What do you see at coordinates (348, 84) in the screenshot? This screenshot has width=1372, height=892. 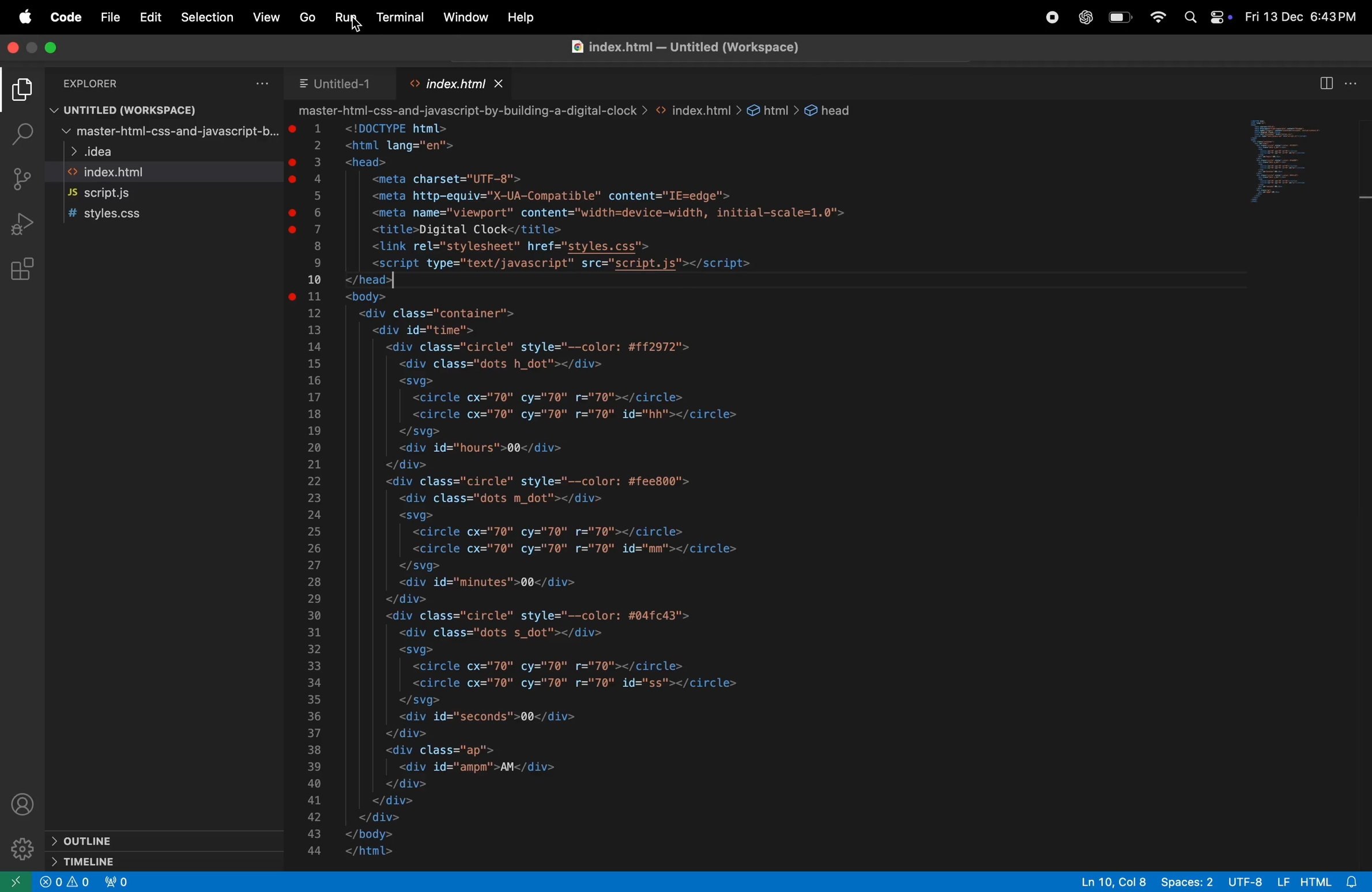 I see `untitiled tab` at bounding box center [348, 84].